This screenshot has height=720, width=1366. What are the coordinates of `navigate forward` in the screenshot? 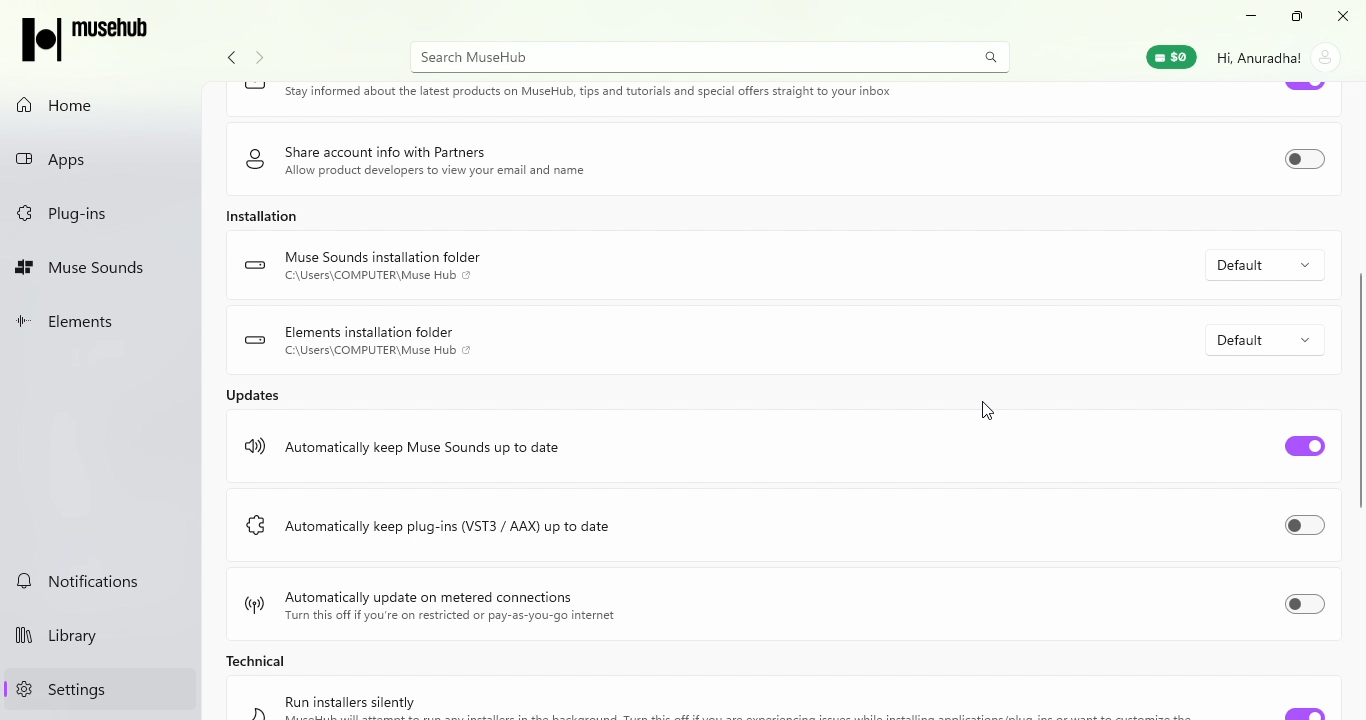 It's located at (259, 59).